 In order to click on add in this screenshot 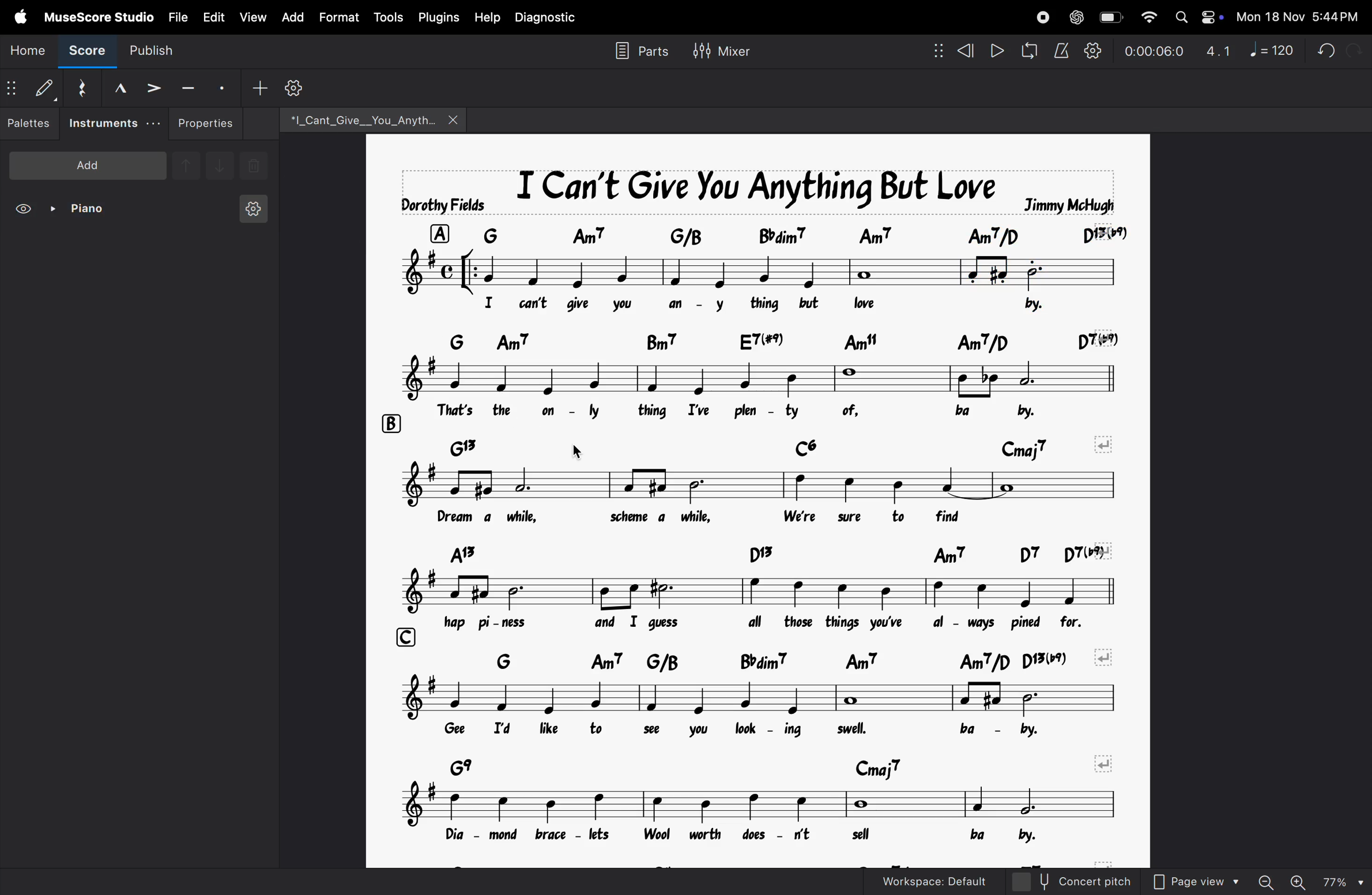, I will do `click(295, 17)`.